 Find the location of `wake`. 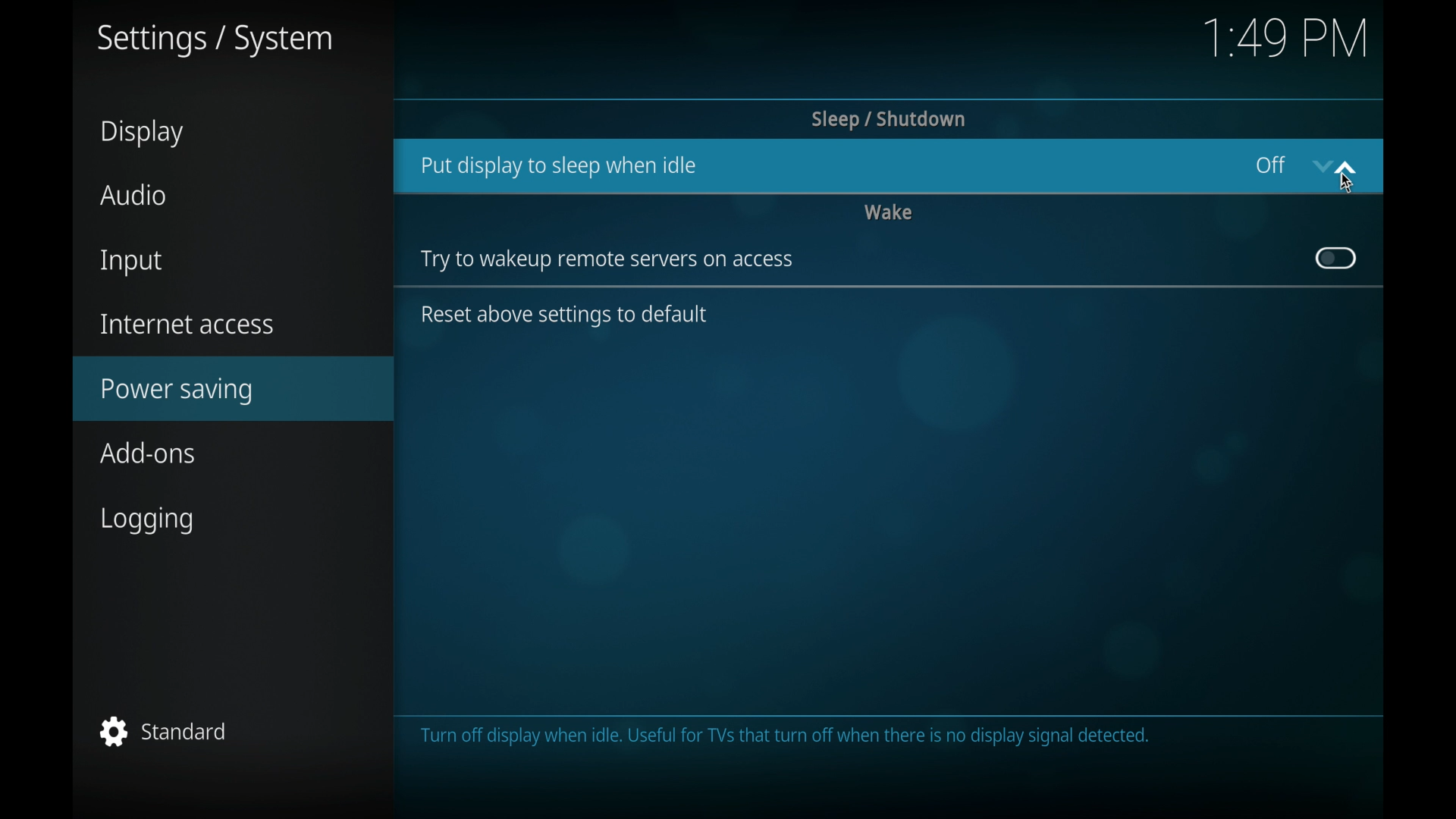

wake is located at coordinates (889, 211).